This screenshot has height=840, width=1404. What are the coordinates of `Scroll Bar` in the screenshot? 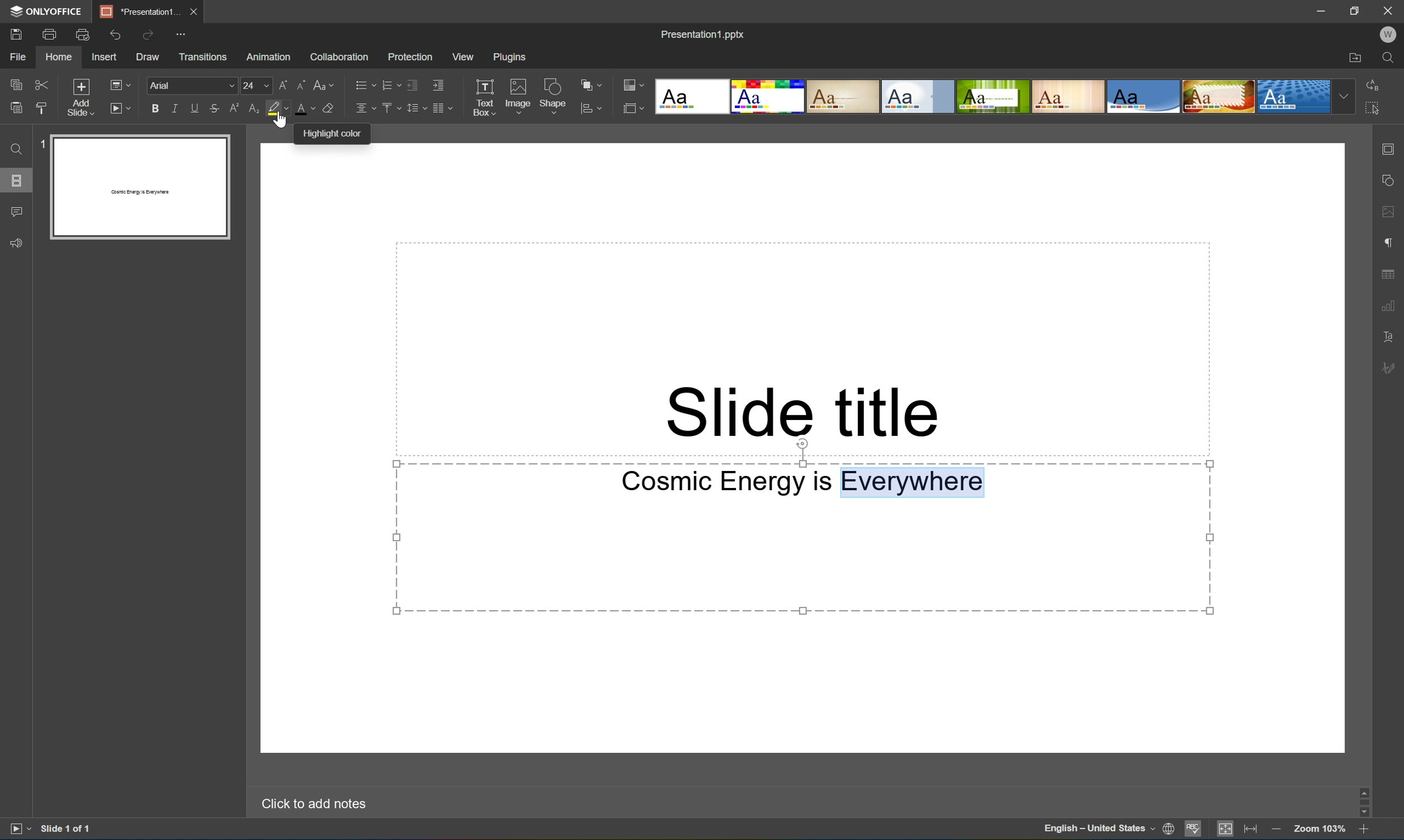 It's located at (1363, 802).